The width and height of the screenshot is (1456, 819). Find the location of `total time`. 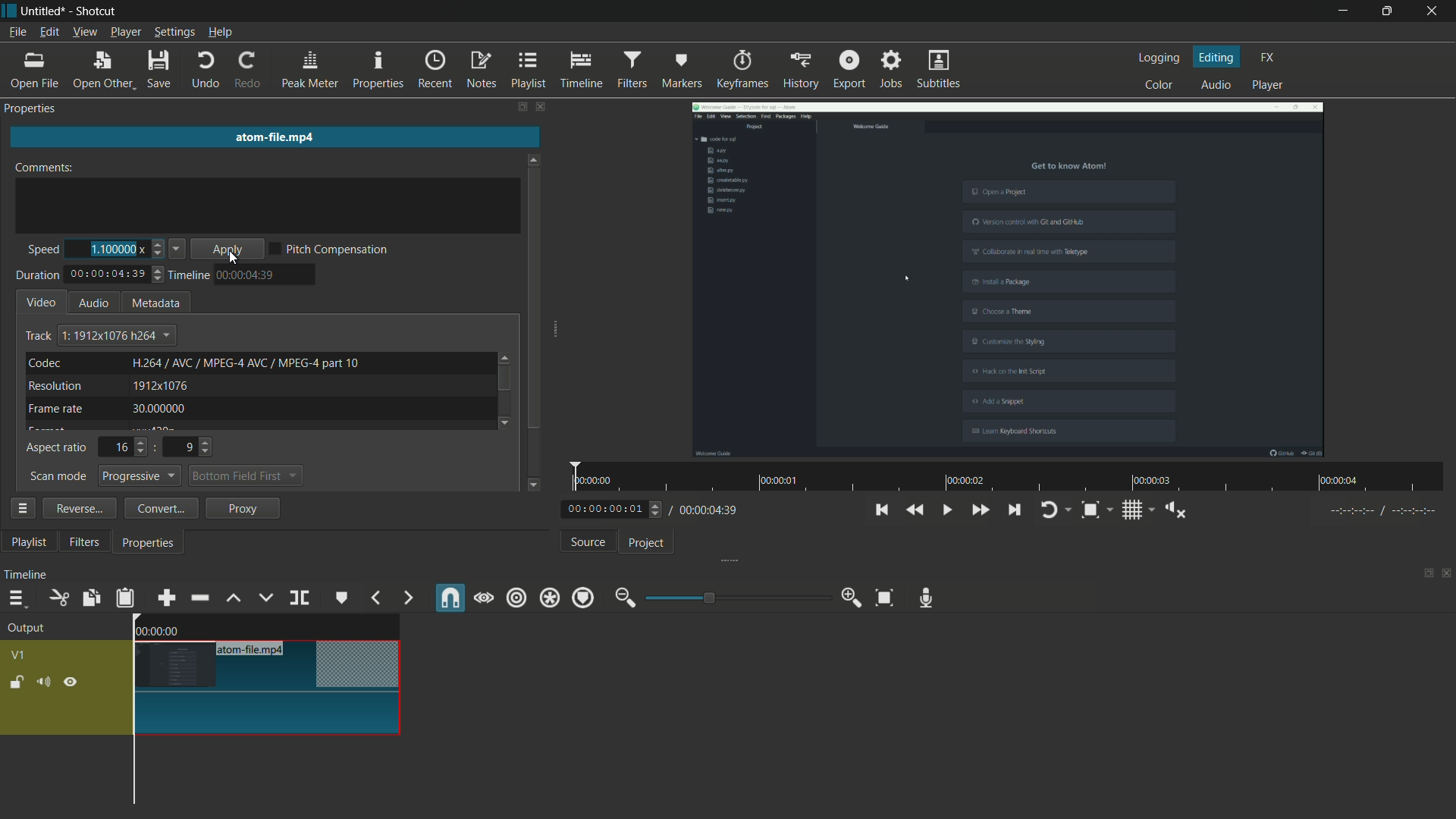

total time is located at coordinates (708, 510).